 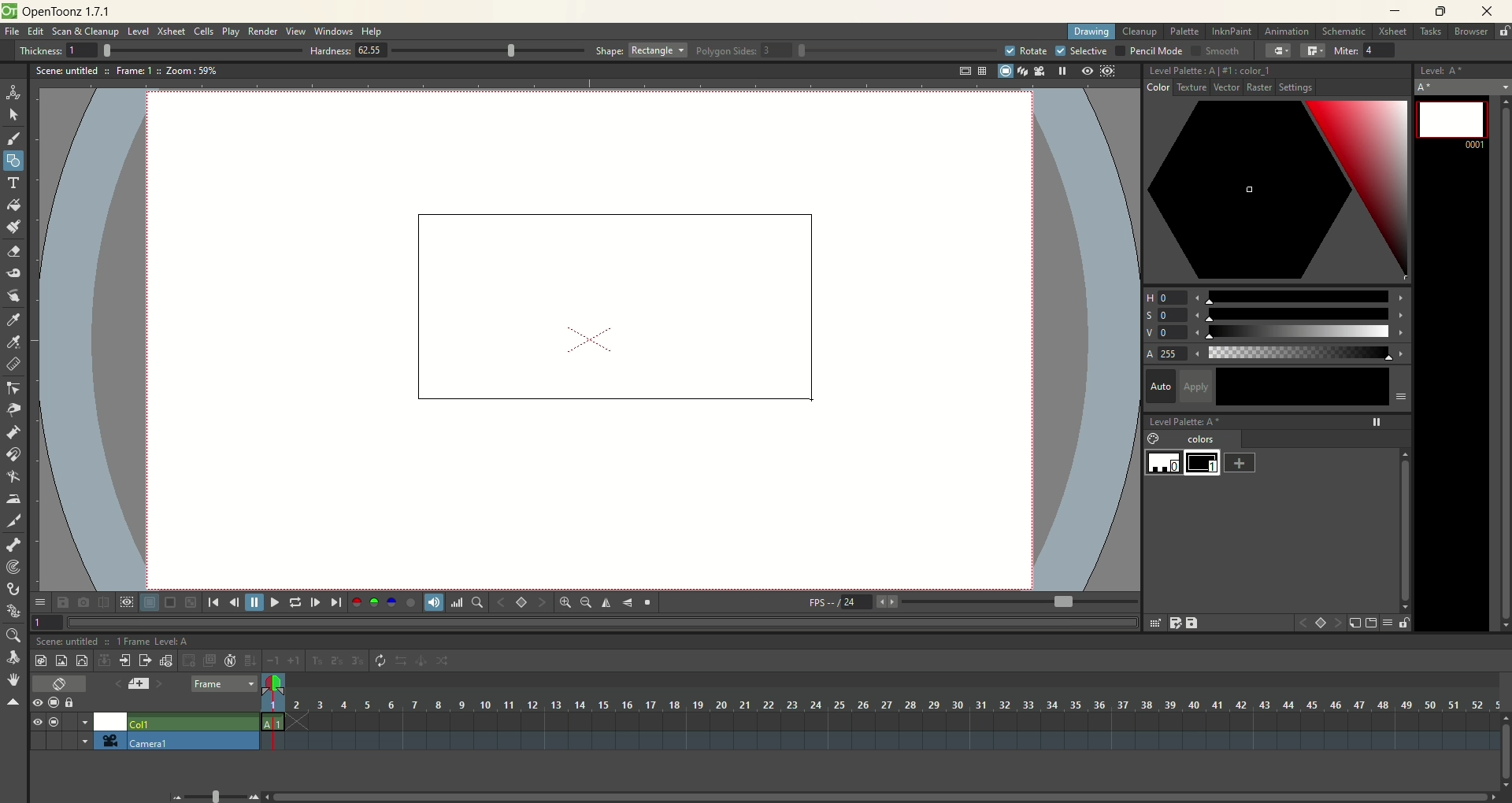 What do you see at coordinates (1345, 31) in the screenshot?
I see `schematic` at bounding box center [1345, 31].